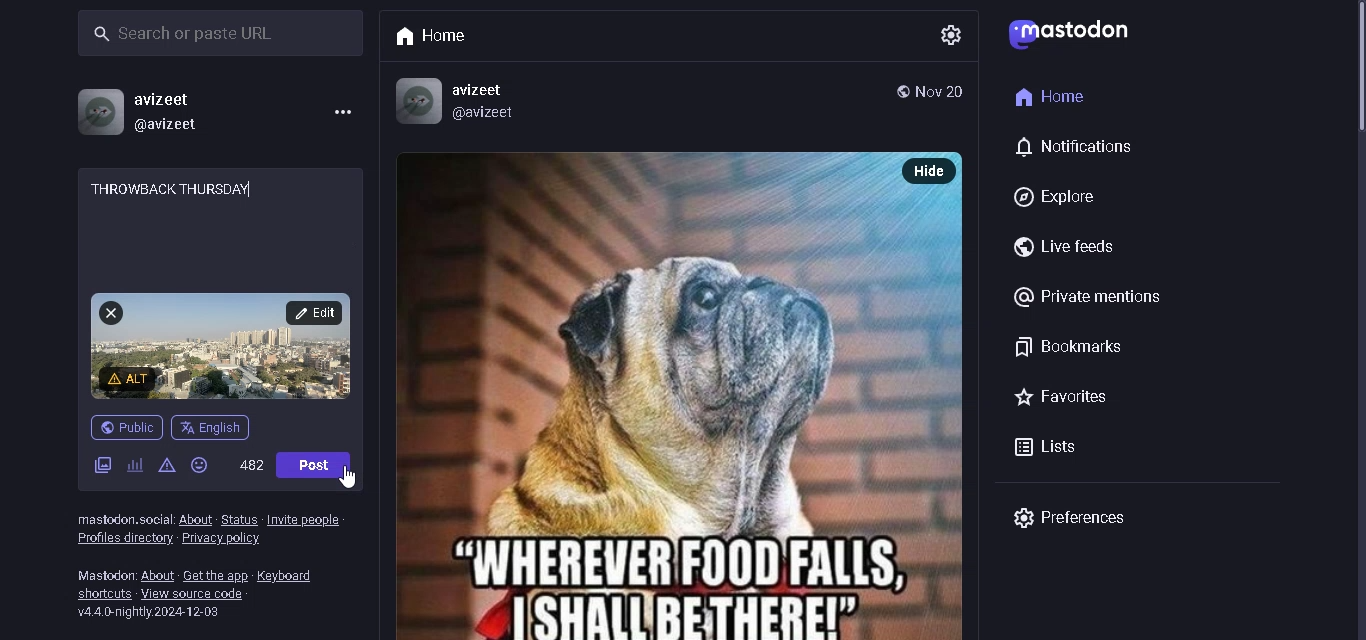 Image resolution: width=1366 pixels, height=640 pixels. What do you see at coordinates (199, 471) in the screenshot?
I see `emojis` at bounding box center [199, 471].